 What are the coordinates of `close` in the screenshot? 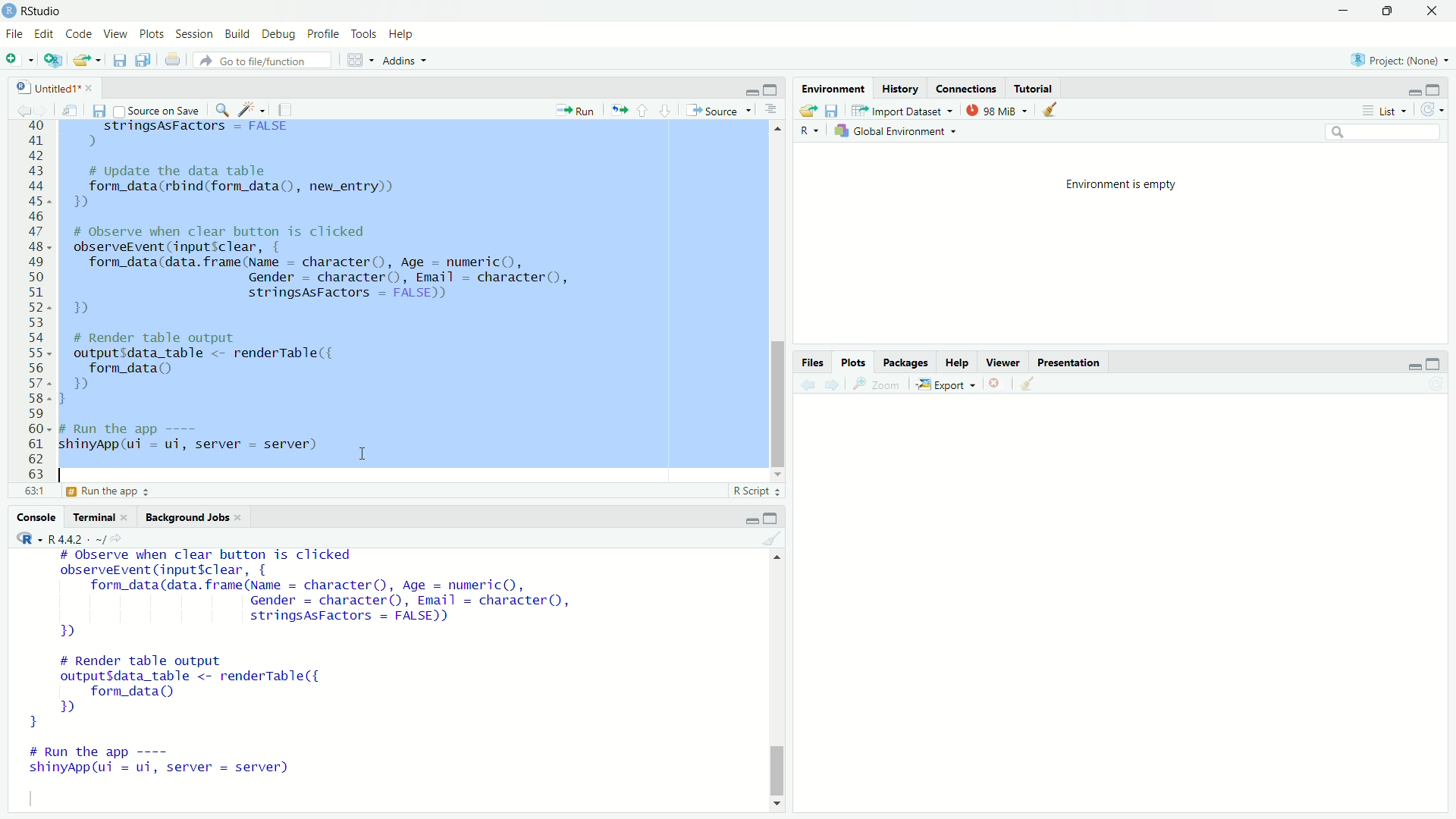 It's located at (90, 86).